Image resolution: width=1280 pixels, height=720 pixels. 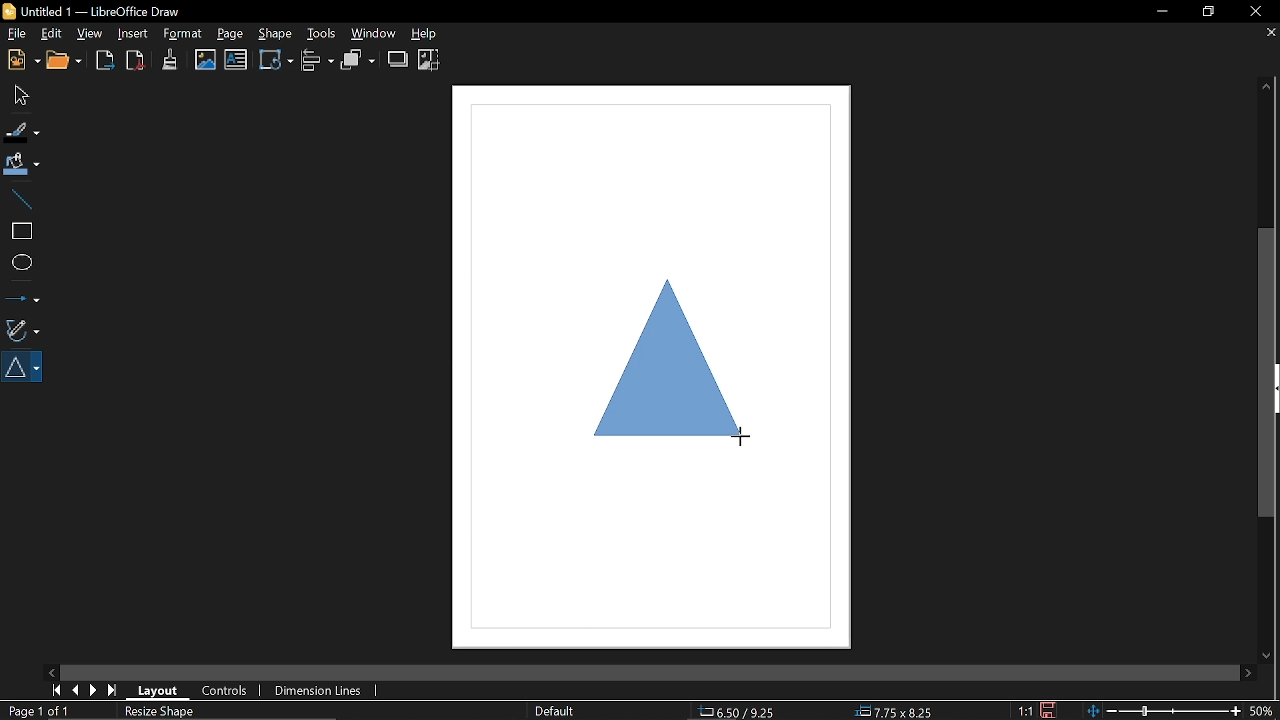 What do you see at coordinates (170, 59) in the screenshot?
I see `Clone` at bounding box center [170, 59].